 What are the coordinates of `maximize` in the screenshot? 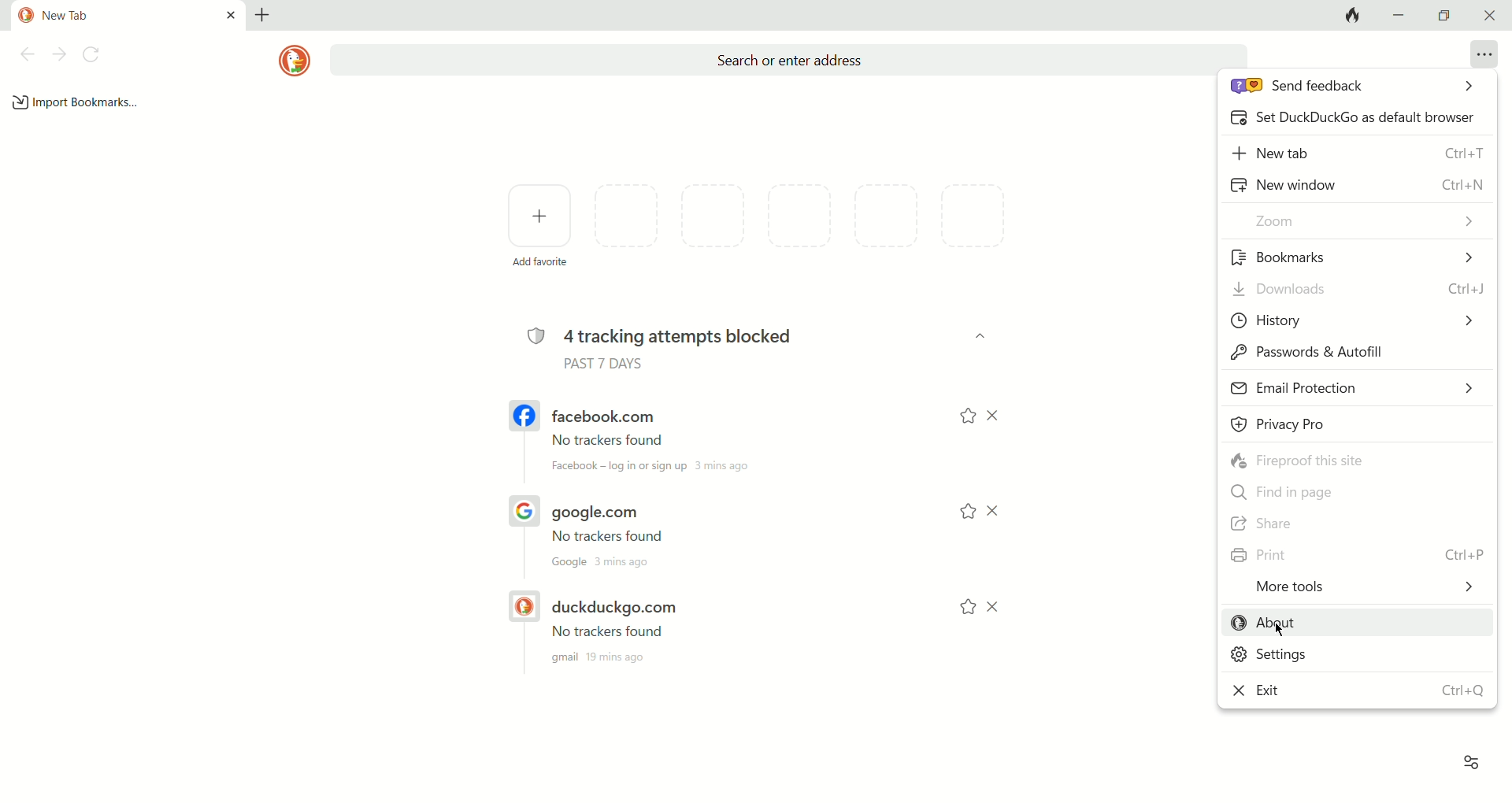 It's located at (1442, 16).